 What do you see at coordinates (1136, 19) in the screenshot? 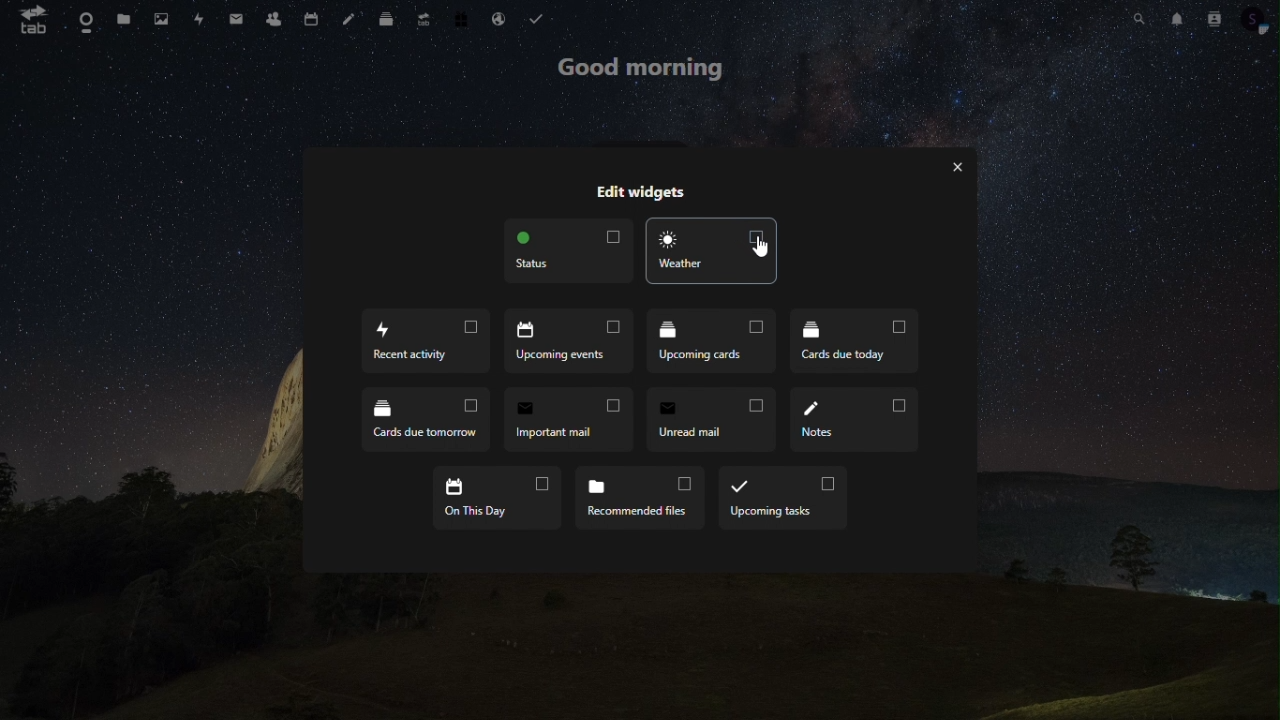
I see `search` at bounding box center [1136, 19].